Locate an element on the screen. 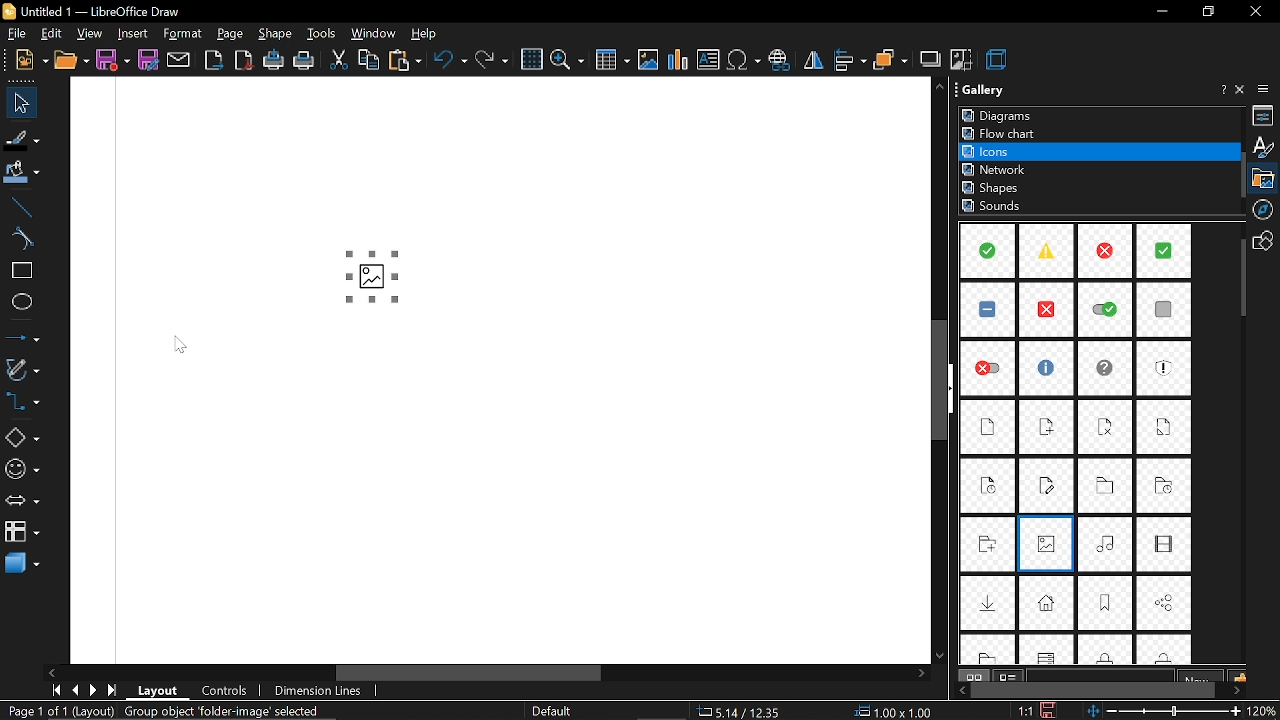 This screenshot has height=720, width=1280. save as is located at coordinates (150, 60).